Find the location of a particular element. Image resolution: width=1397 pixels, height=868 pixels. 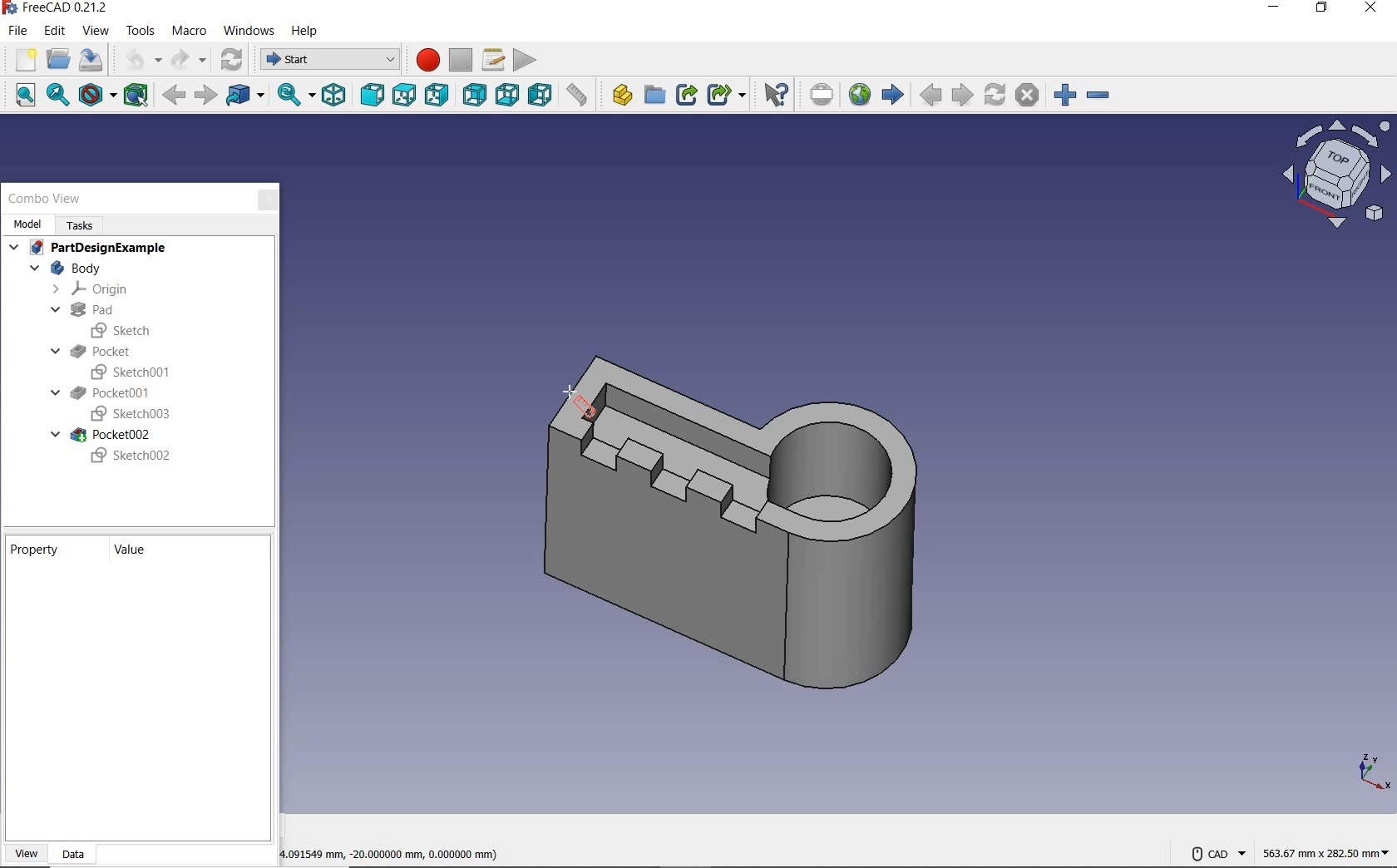

x, y, z  is located at coordinates (1370, 772).